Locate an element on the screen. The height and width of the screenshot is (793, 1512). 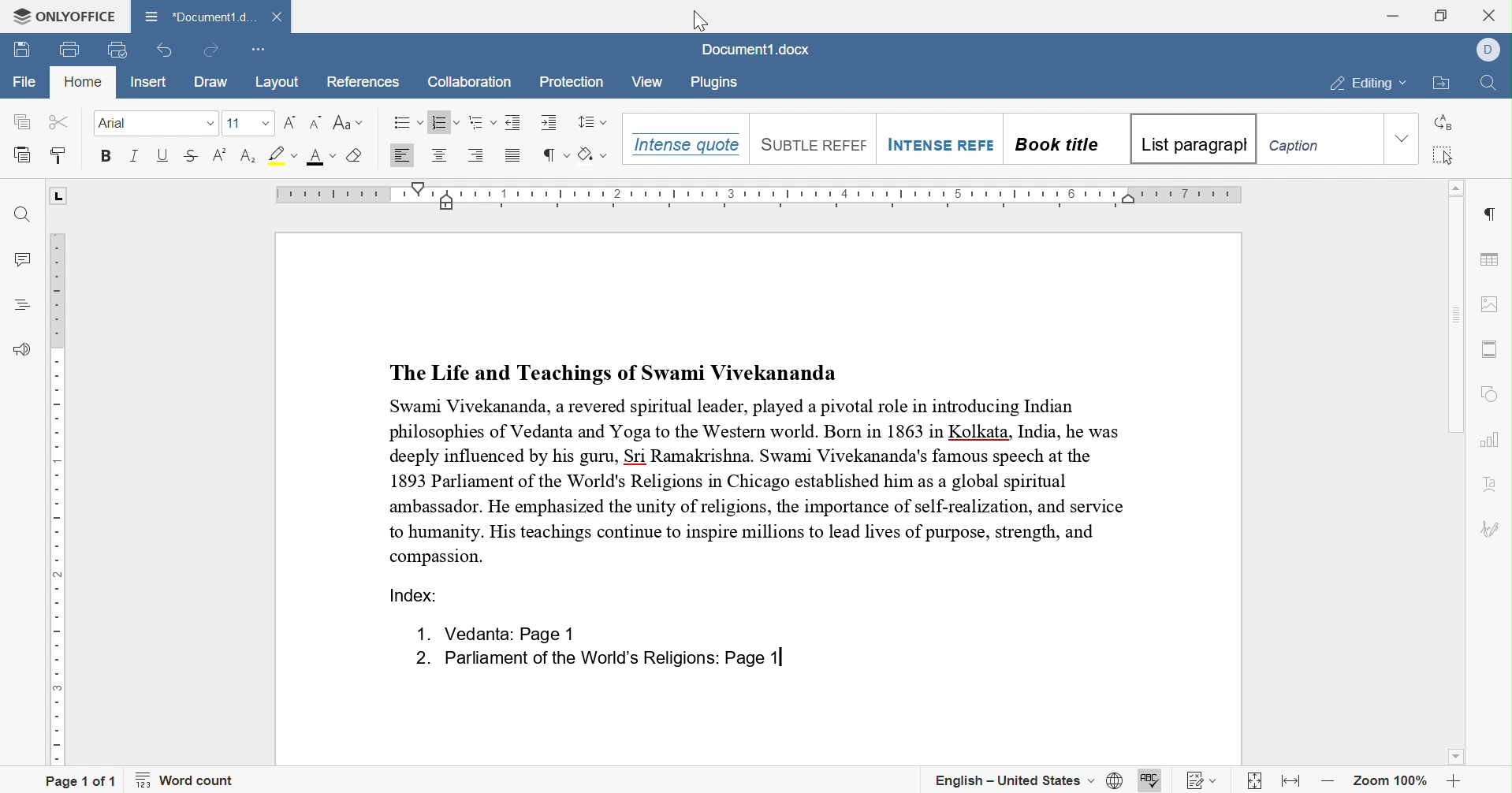
find is located at coordinates (1492, 86).